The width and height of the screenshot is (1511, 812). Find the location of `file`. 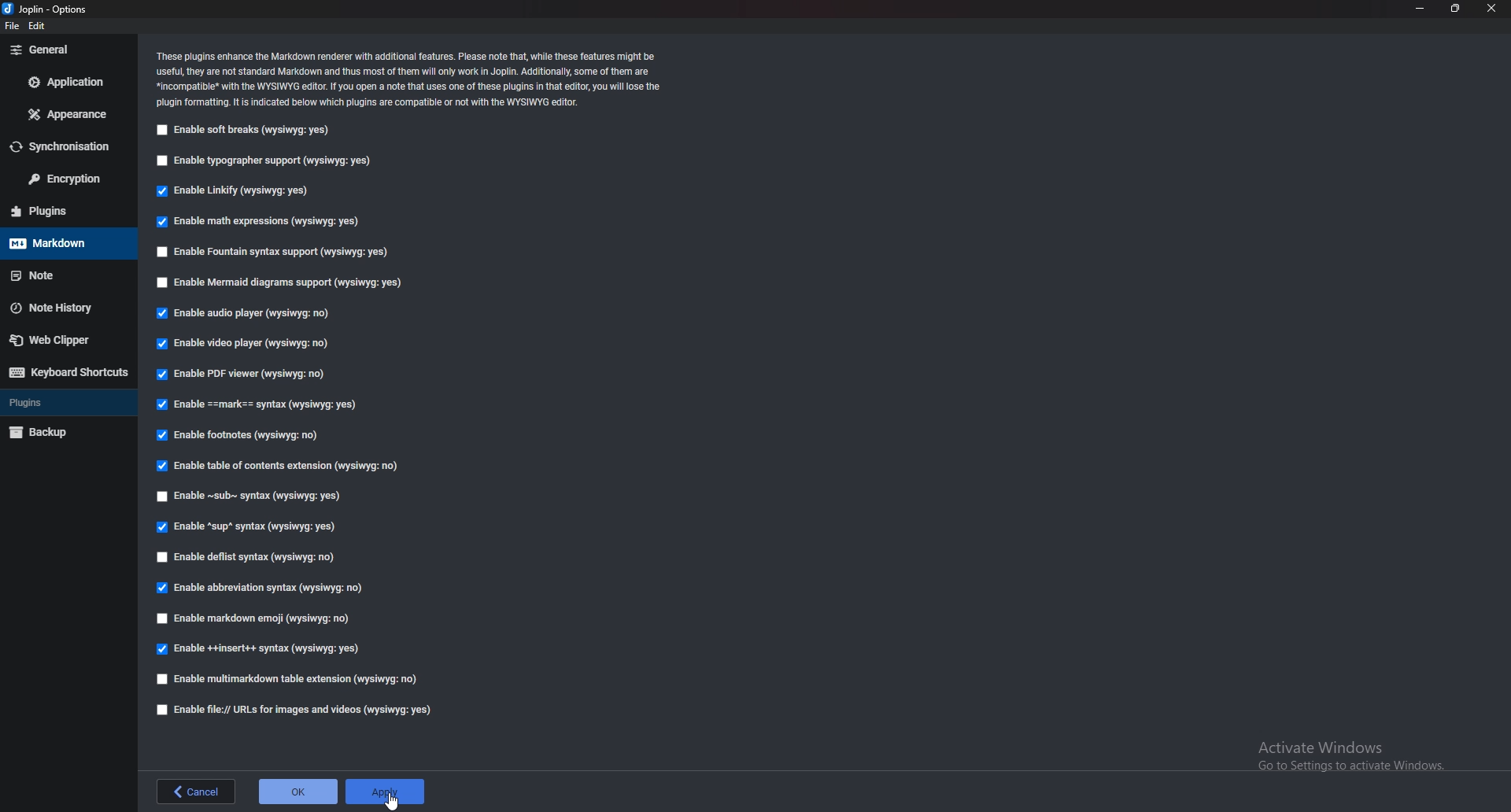

file is located at coordinates (10, 27).